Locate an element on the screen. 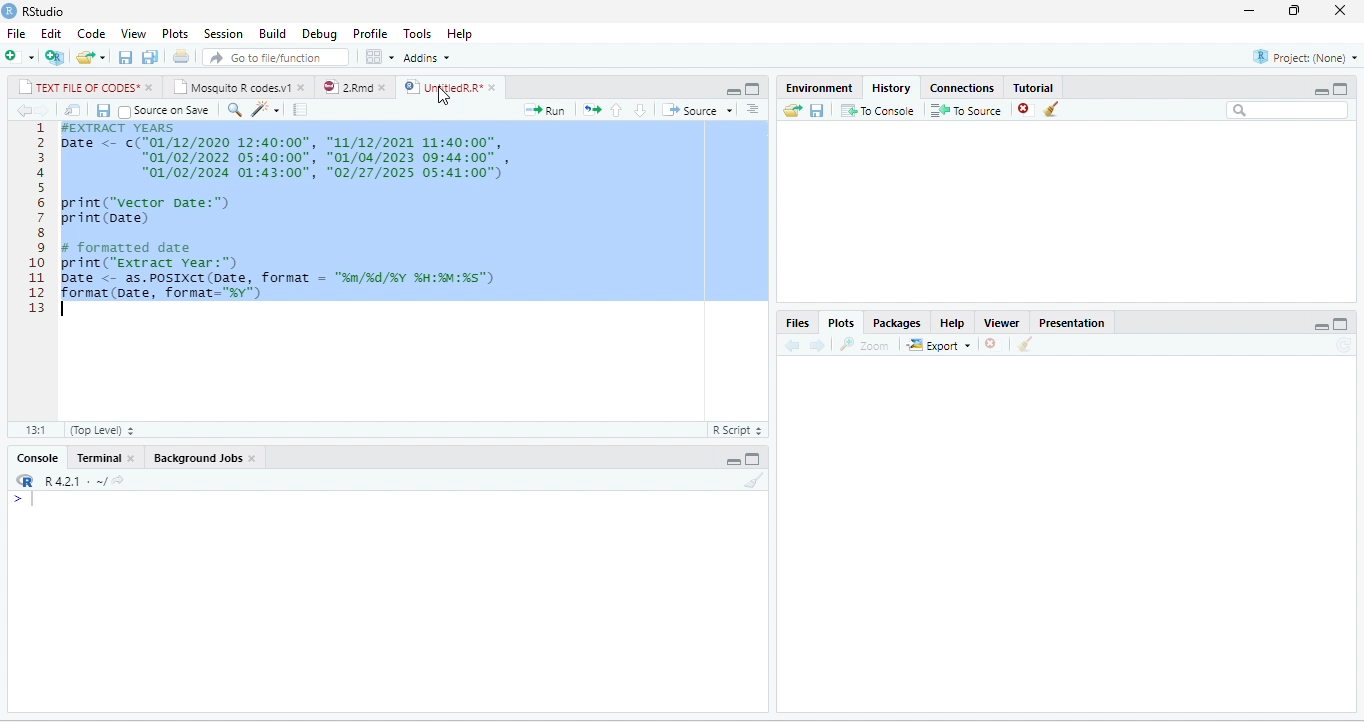 This screenshot has height=722, width=1364. Source on Save is located at coordinates (164, 110).